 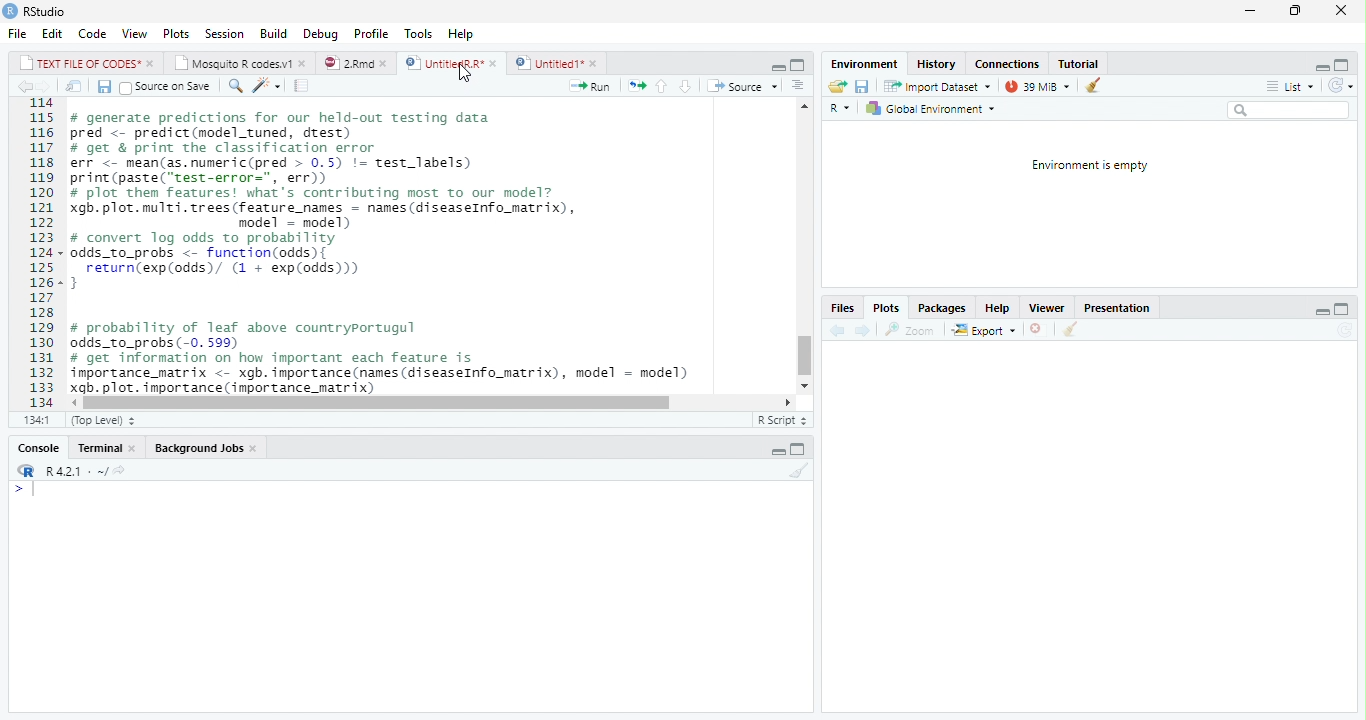 I want to click on Tools, so click(x=418, y=33).